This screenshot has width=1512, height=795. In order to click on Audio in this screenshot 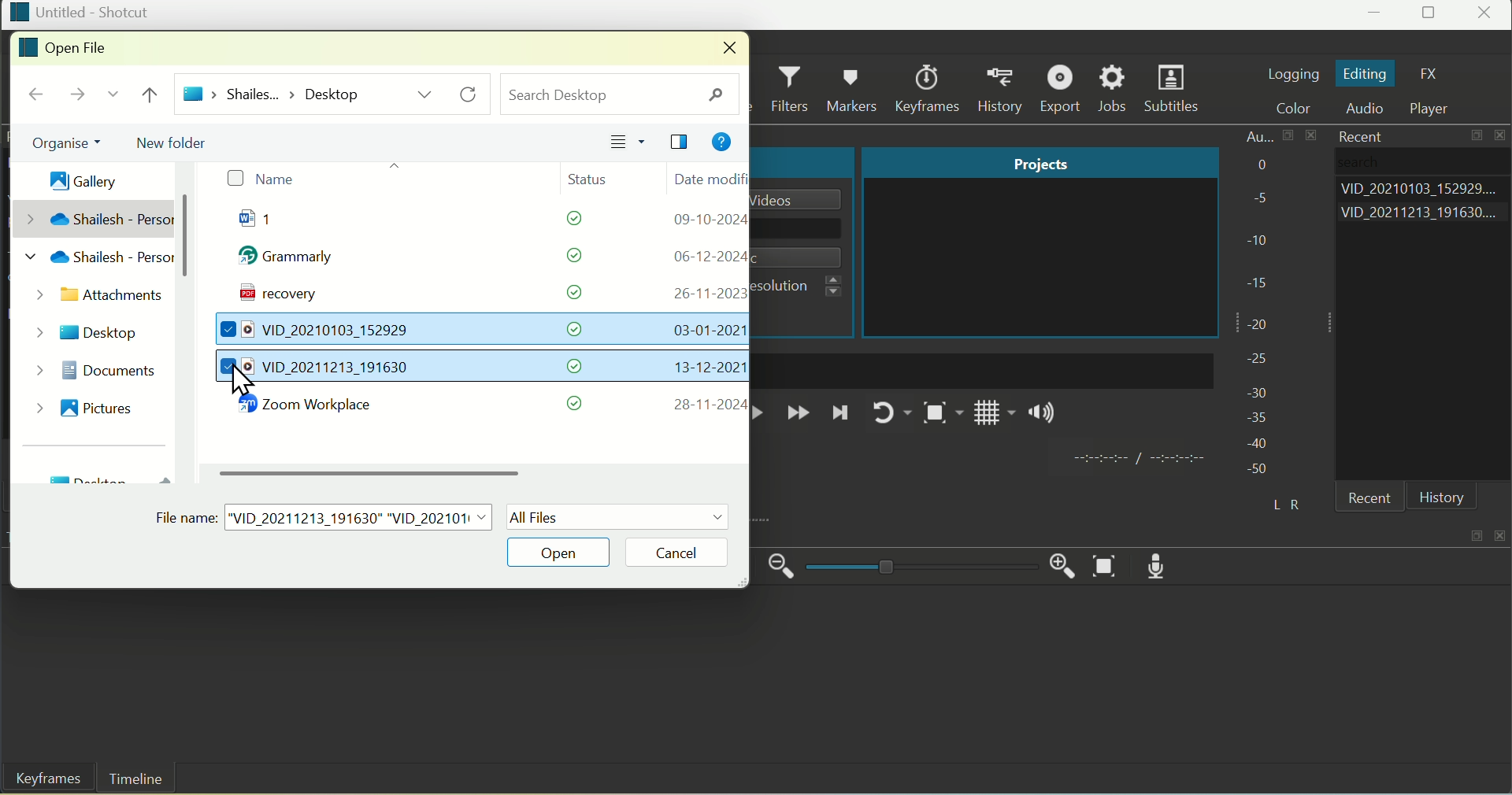, I will do `click(1370, 109)`.